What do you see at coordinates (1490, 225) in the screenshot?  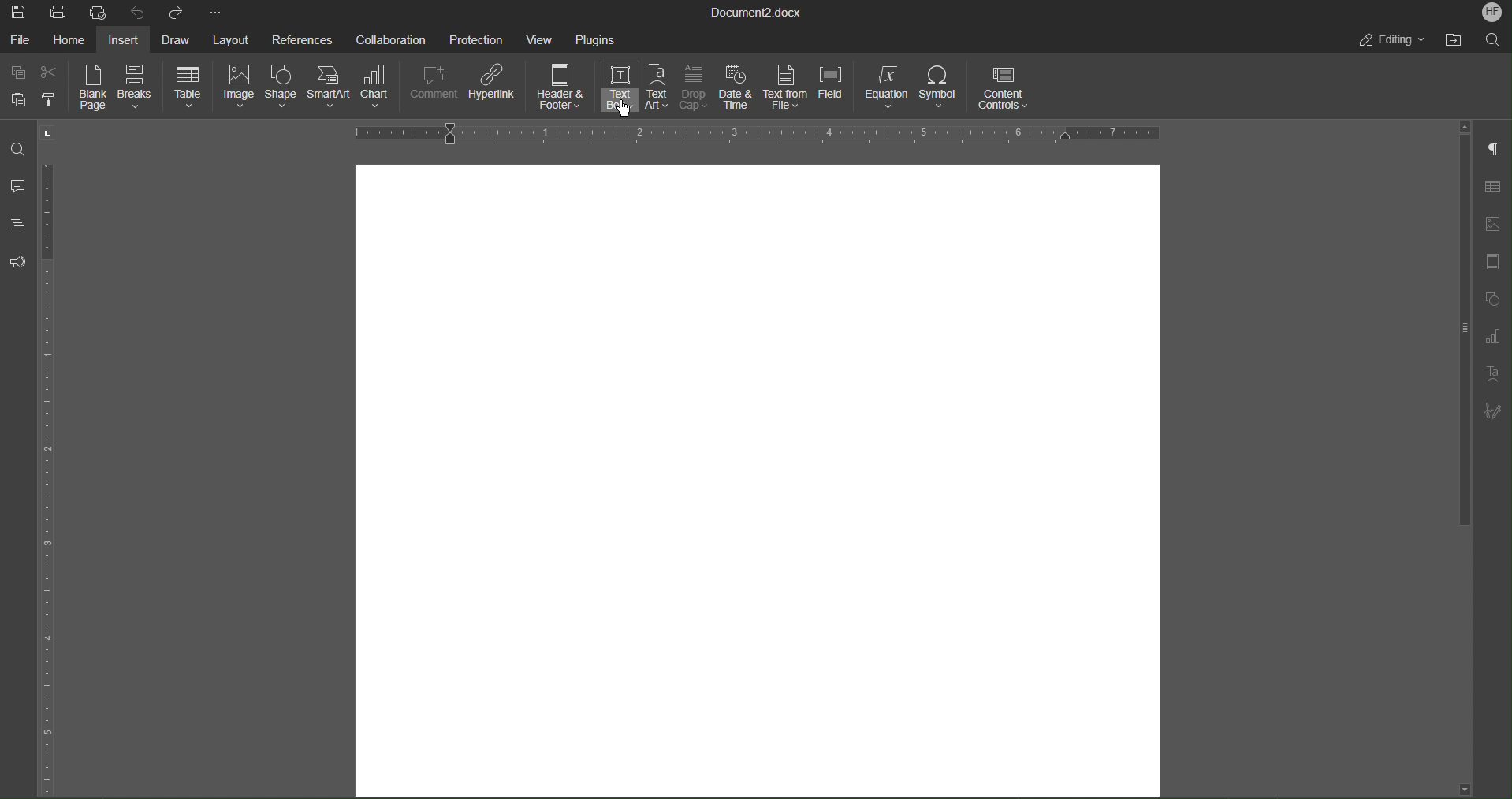 I see `Insert Image` at bounding box center [1490, 225].